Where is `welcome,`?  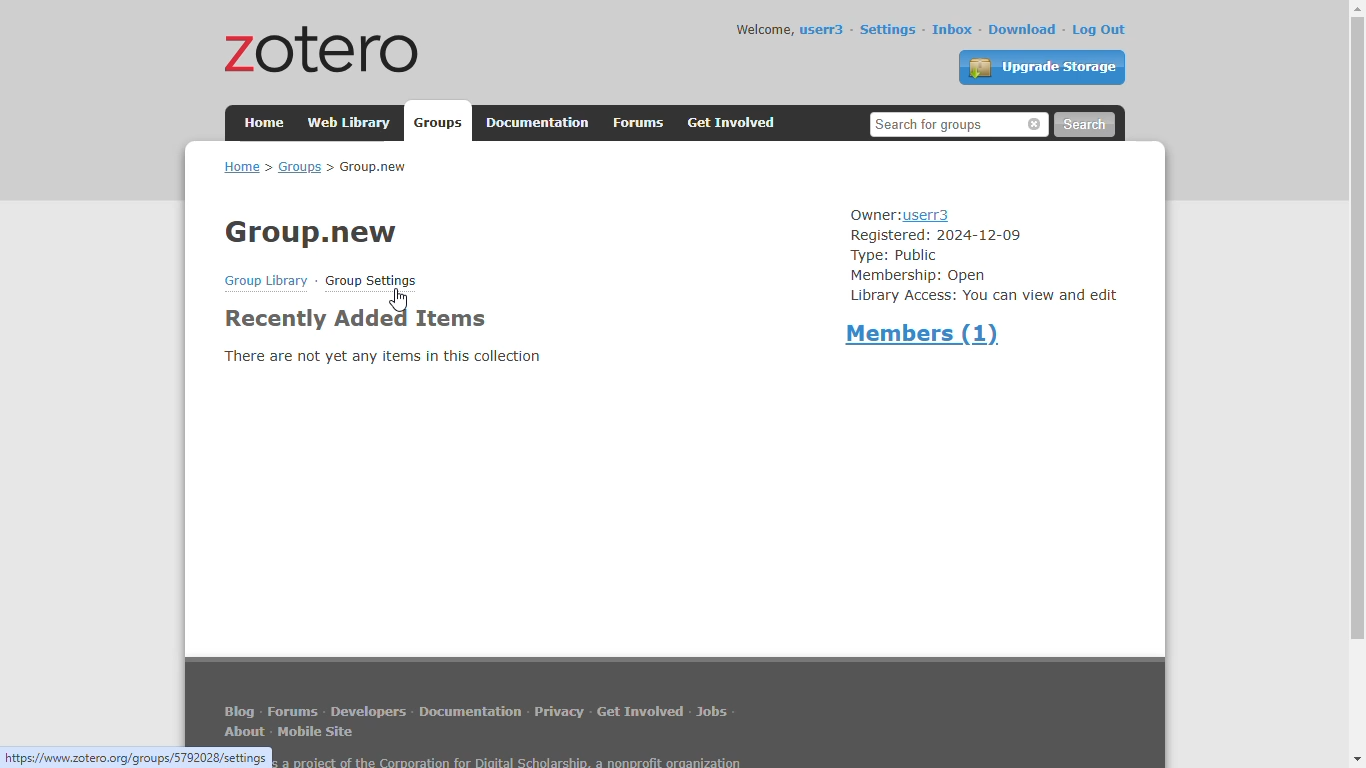
welcome, is located at coordinates (765, 29).